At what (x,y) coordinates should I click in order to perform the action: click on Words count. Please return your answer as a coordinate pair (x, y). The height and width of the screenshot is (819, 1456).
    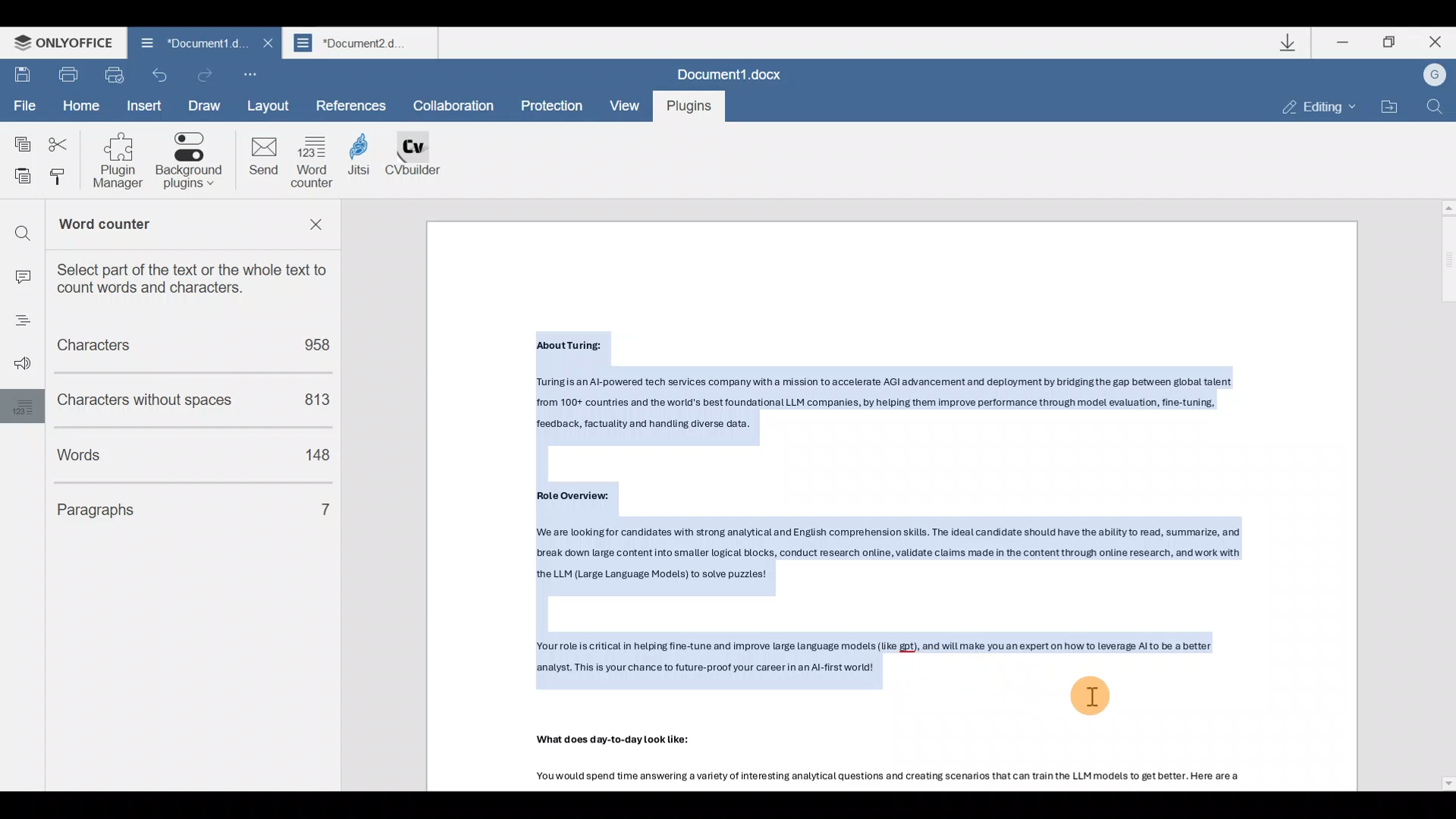
    Looking at the image, I should click on (143, 451).